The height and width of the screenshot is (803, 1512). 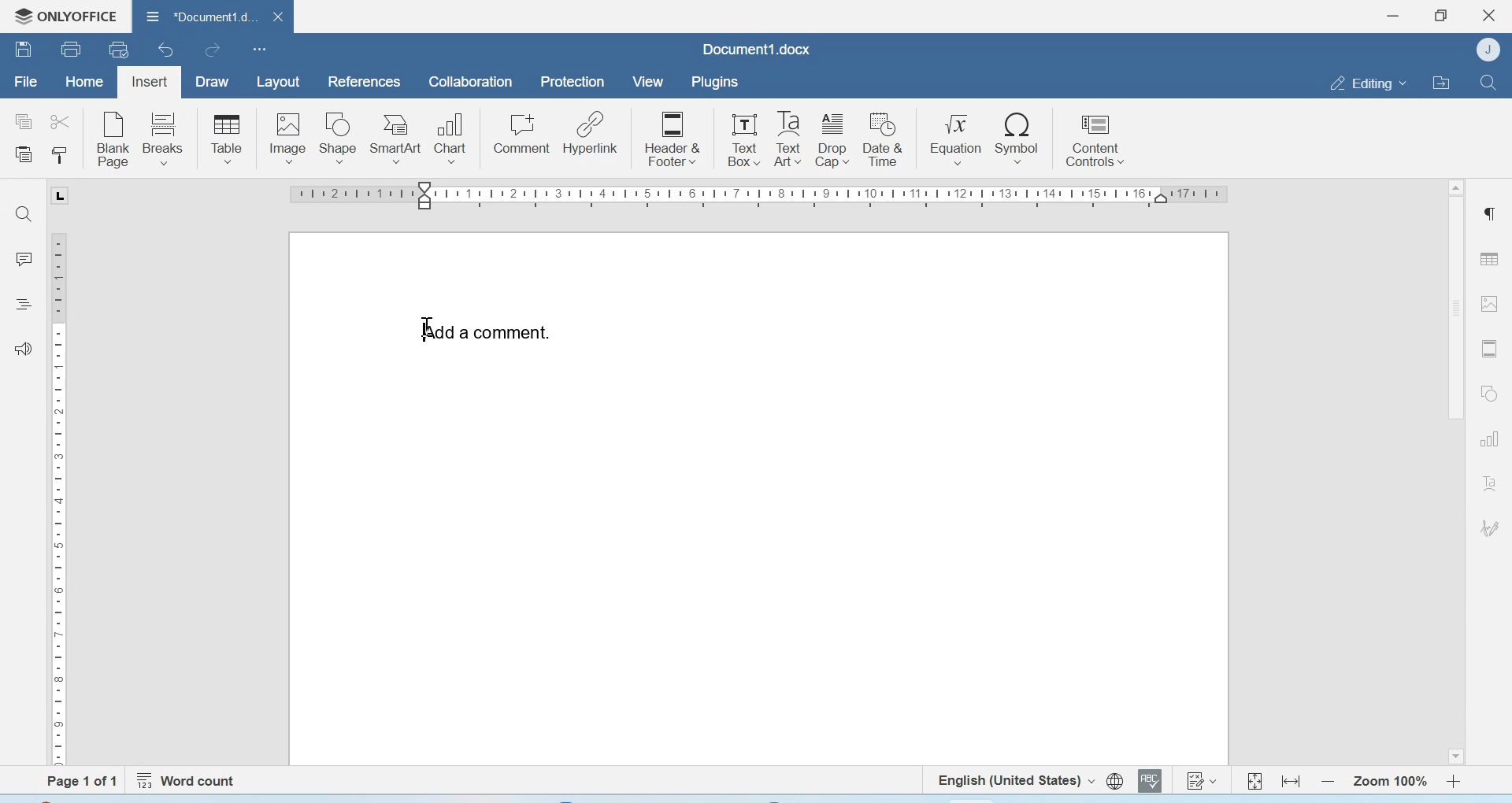 I want to click on Spell checking, so click(x=1150, y=780).